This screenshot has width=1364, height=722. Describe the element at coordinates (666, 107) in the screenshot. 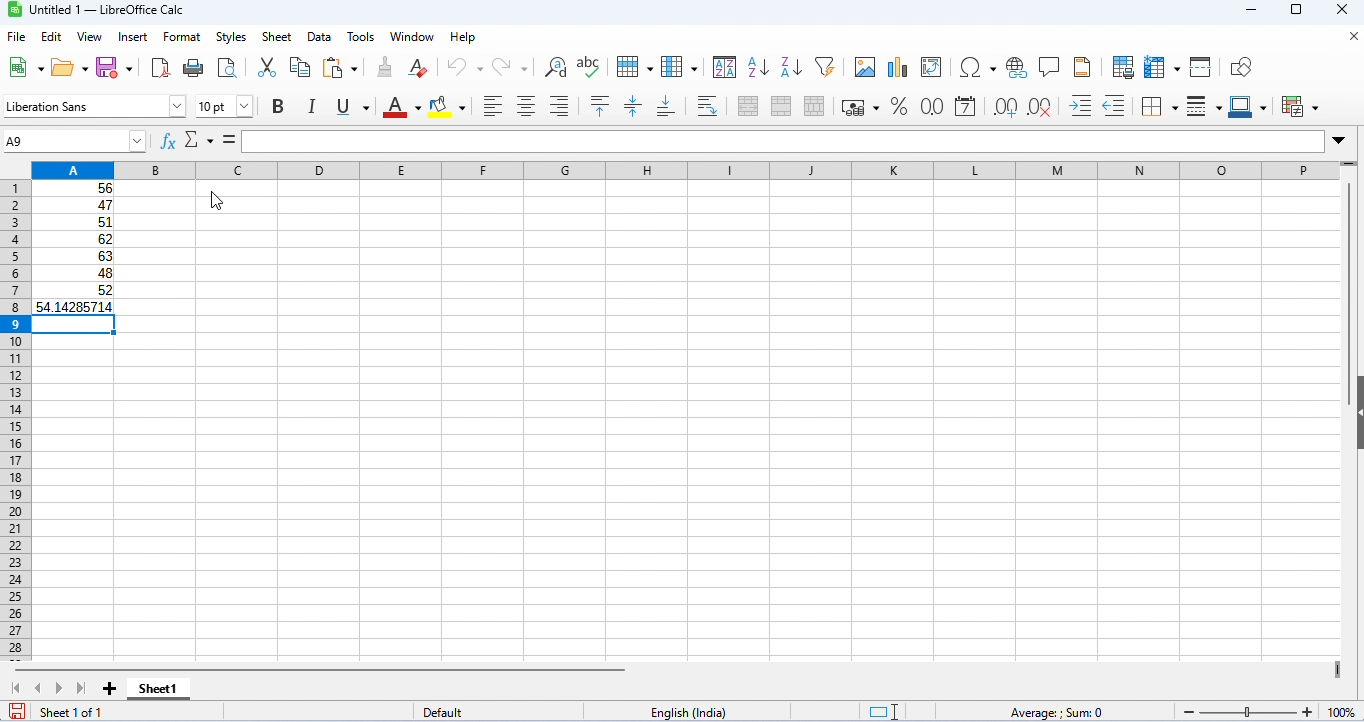

I see `lign bottom` at that location.